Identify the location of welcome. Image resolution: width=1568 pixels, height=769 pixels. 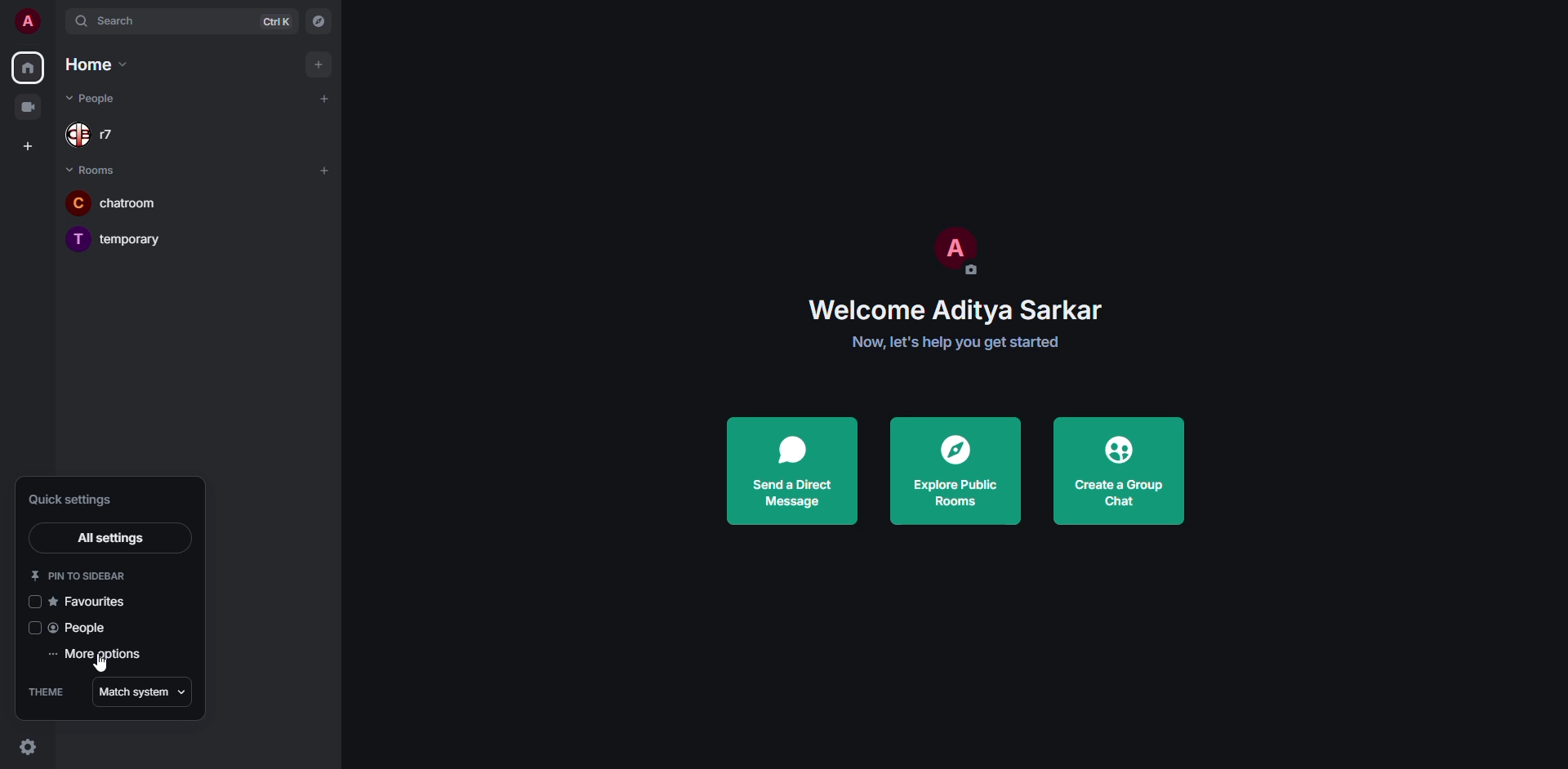
(963, 309).